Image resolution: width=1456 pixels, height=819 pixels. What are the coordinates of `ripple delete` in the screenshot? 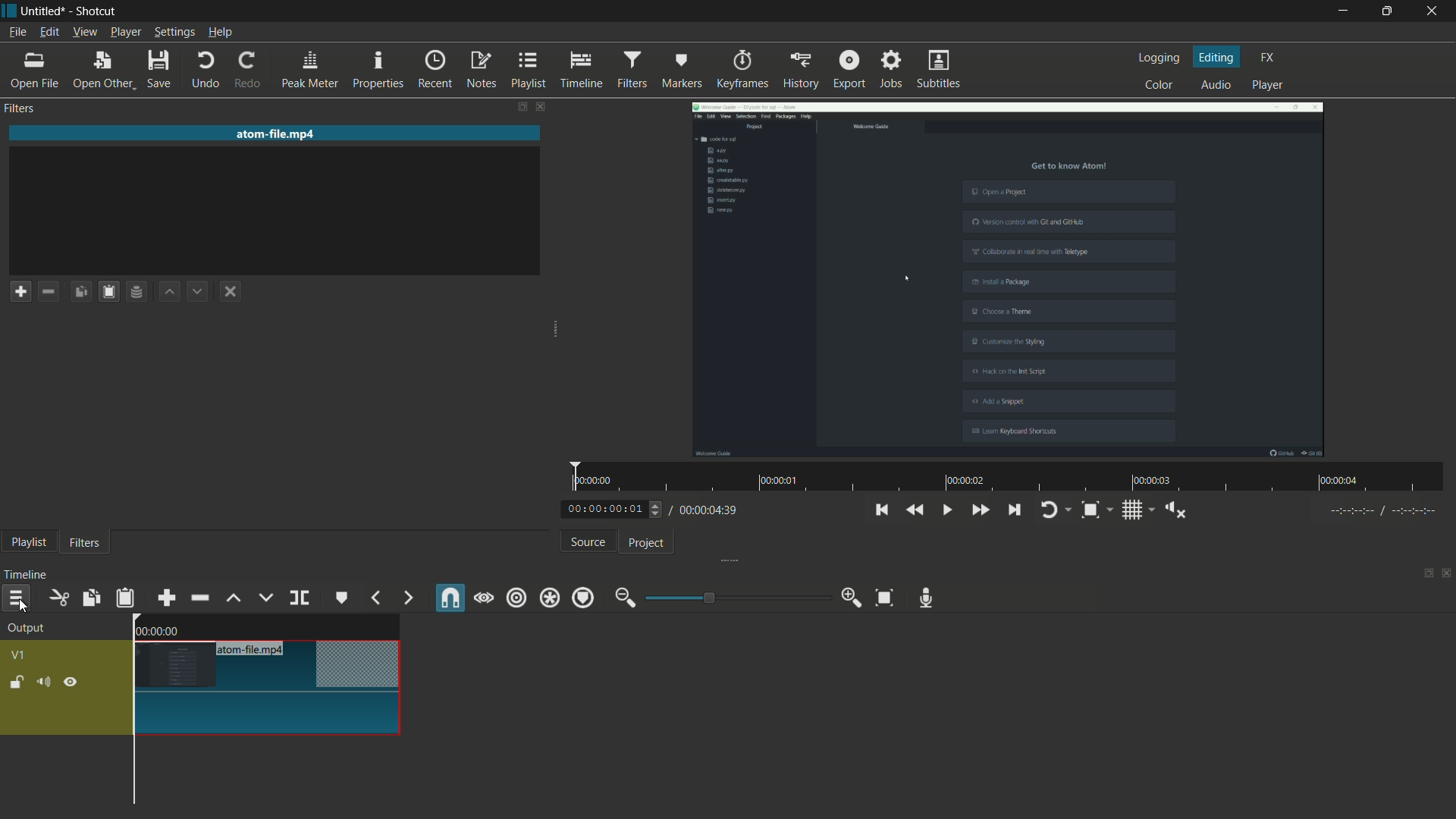 It's located at (199, 598).